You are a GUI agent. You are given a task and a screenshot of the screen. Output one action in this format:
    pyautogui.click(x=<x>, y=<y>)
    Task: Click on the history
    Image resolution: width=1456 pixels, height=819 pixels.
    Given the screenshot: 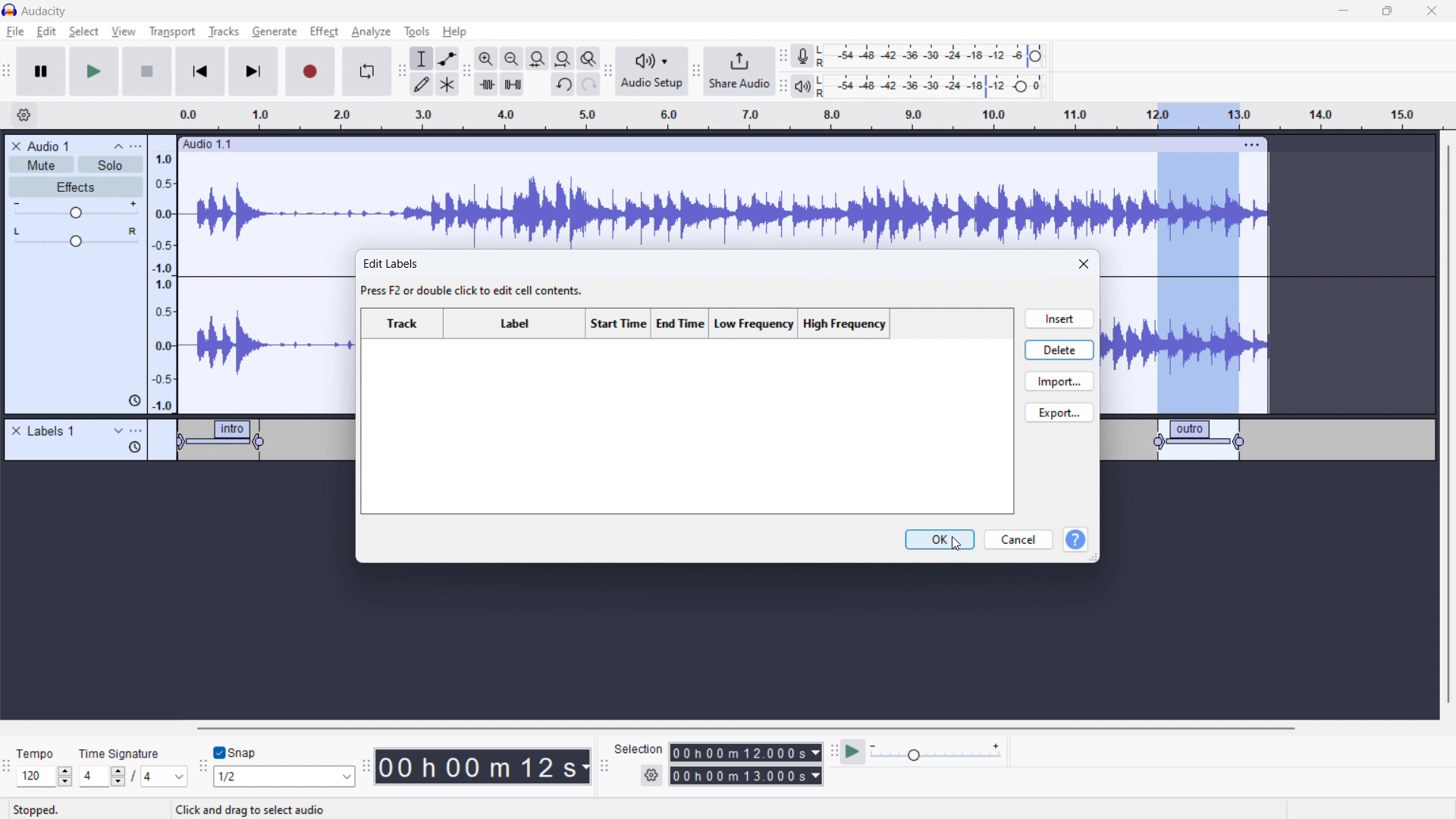 What is the action you would take?
    pyautogui.click(x=135, y=400)
    